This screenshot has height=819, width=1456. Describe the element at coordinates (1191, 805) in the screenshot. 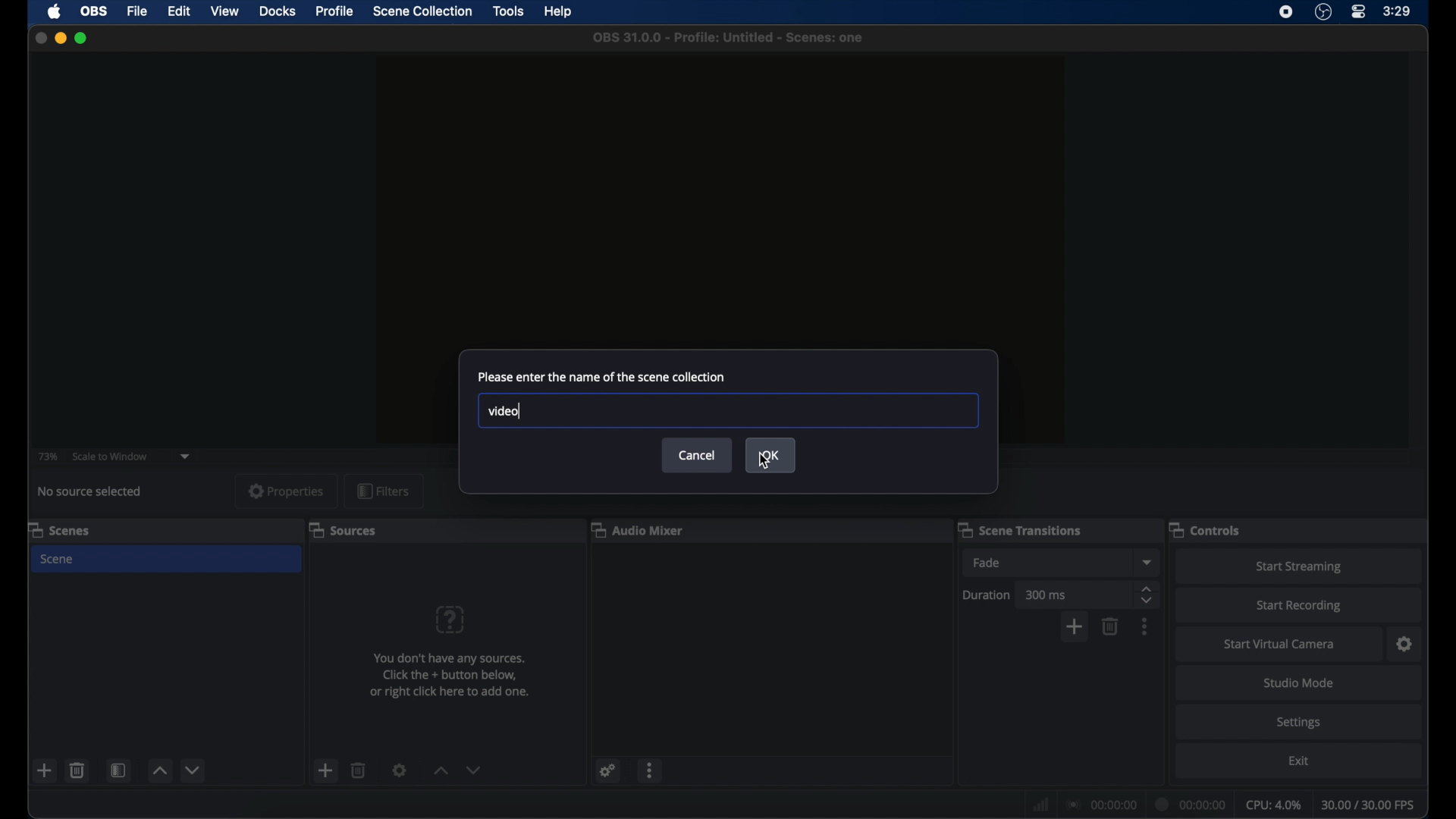

I see `duration` at that location.